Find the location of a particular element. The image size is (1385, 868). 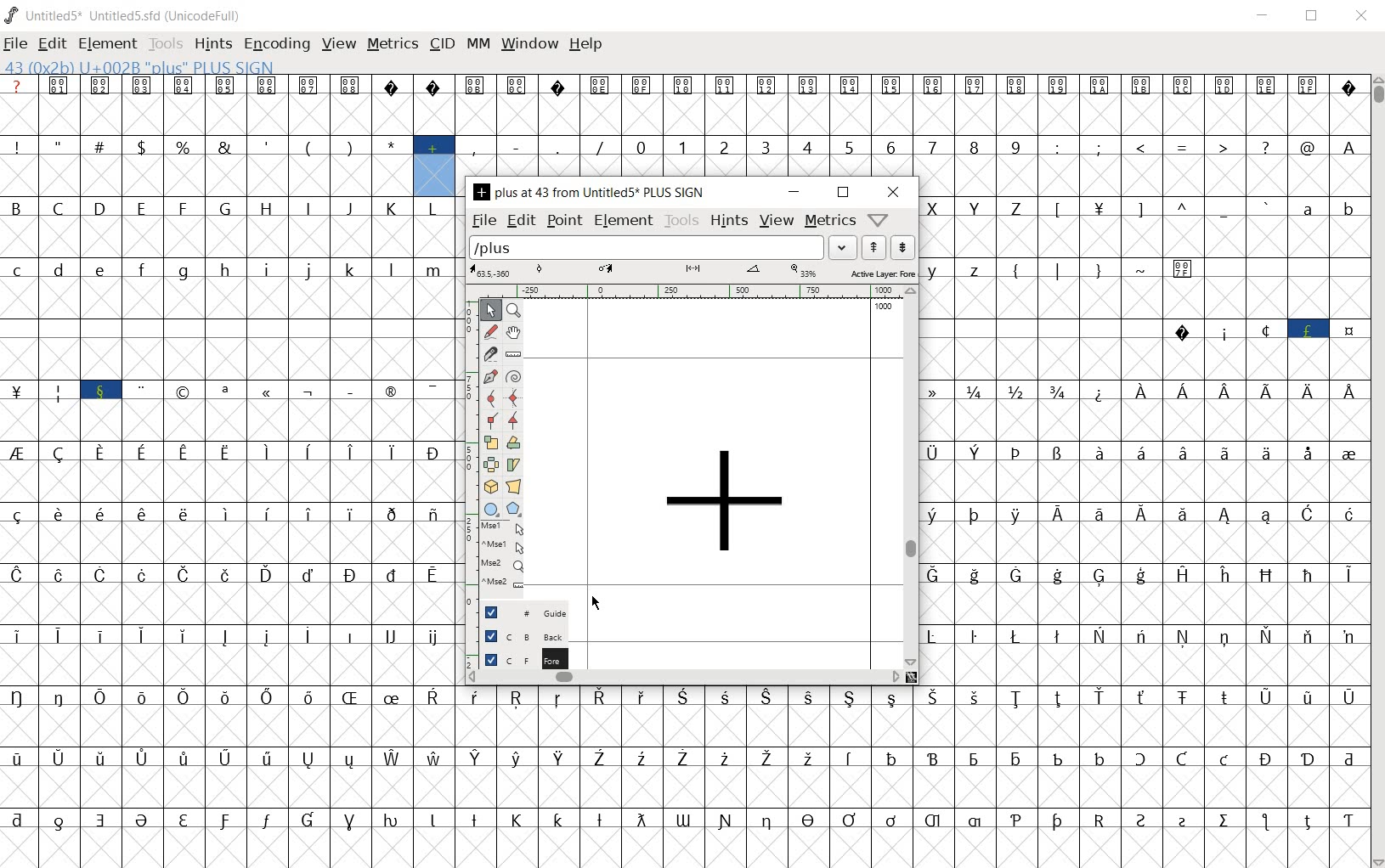

 is located at coordinates (228, 473).